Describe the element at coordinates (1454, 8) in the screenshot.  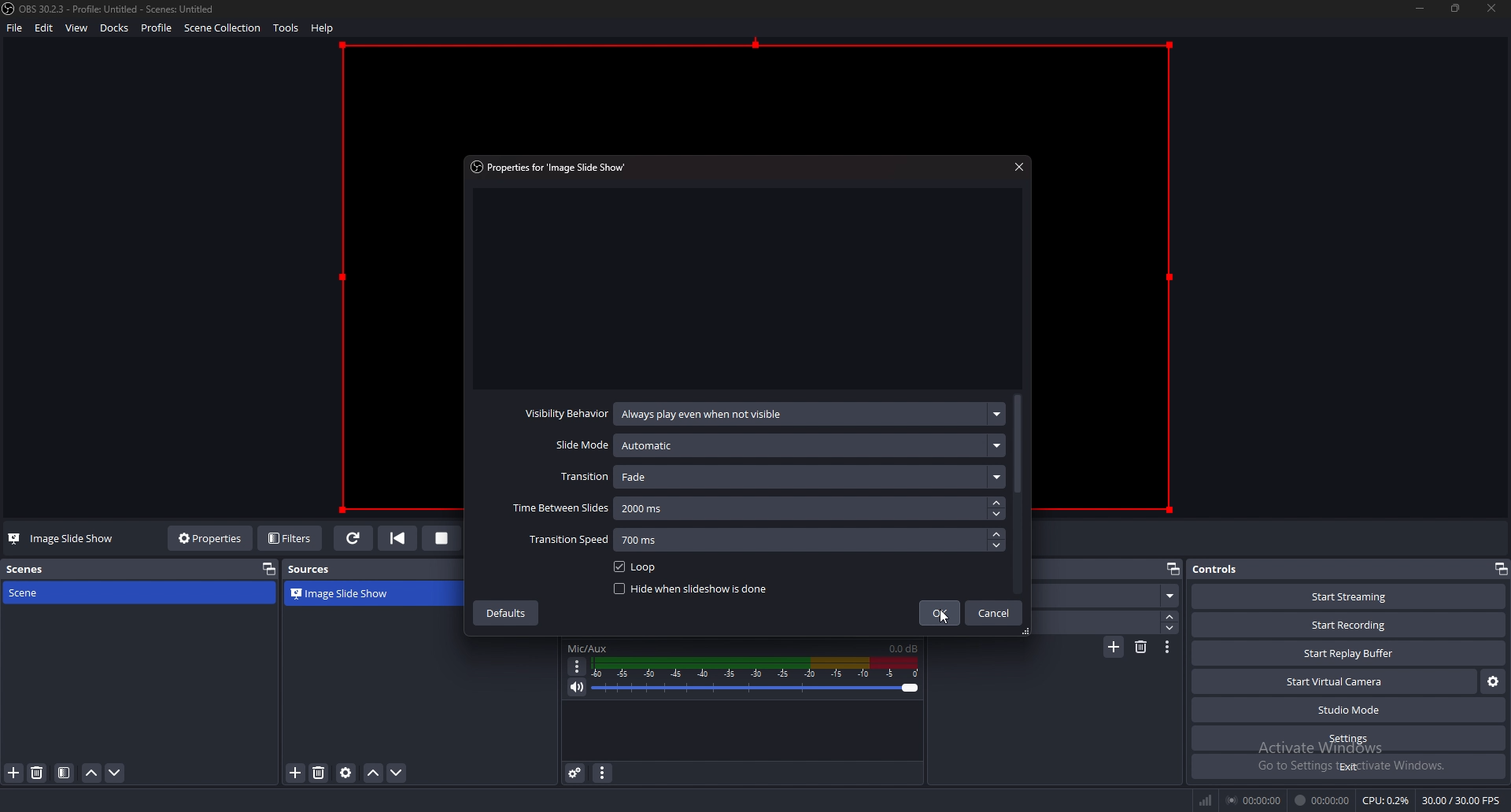
I see `resize` at that location.